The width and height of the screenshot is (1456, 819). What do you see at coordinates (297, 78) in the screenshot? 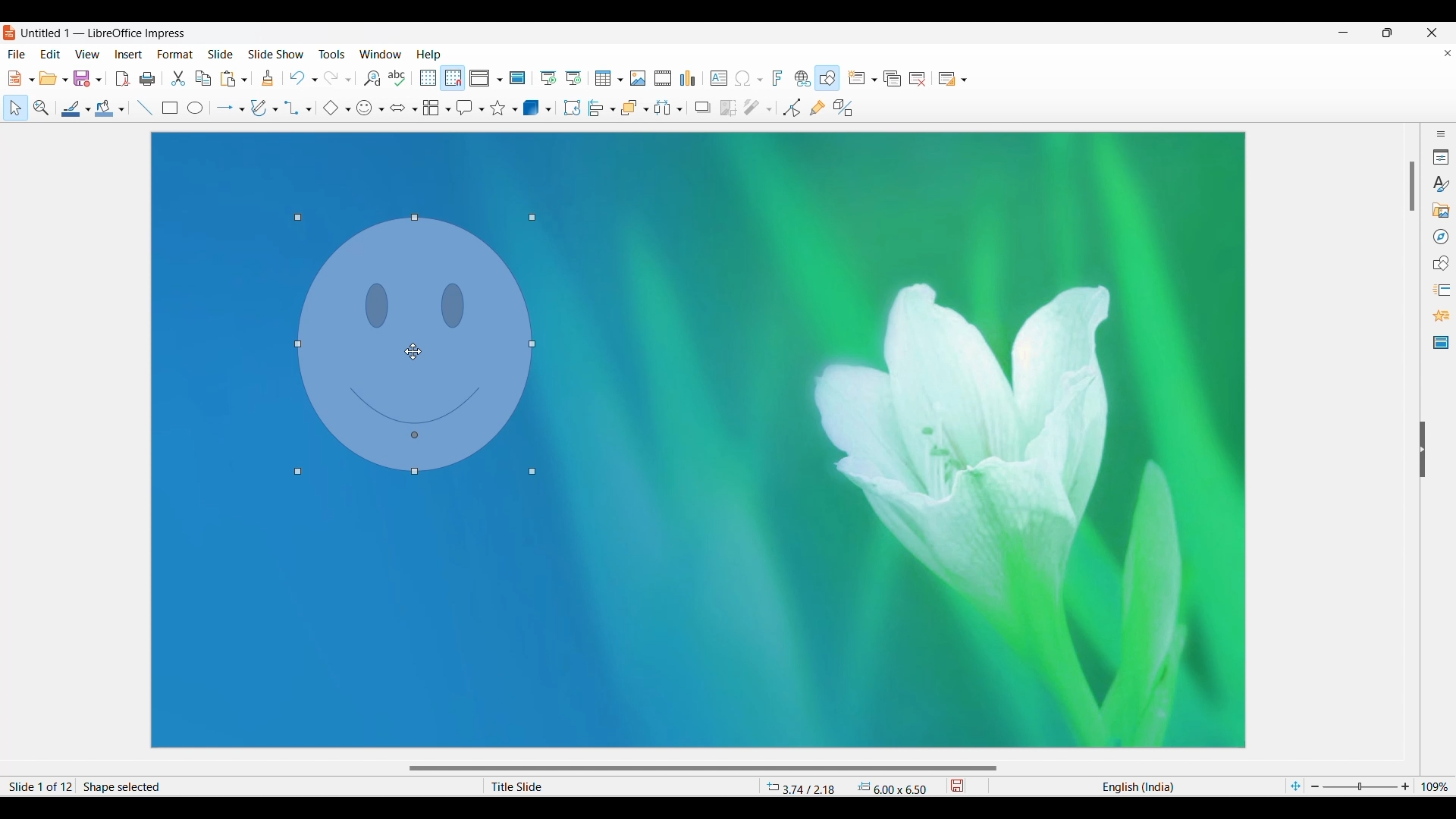
I see `Undo` at bounding box center [297, 78].